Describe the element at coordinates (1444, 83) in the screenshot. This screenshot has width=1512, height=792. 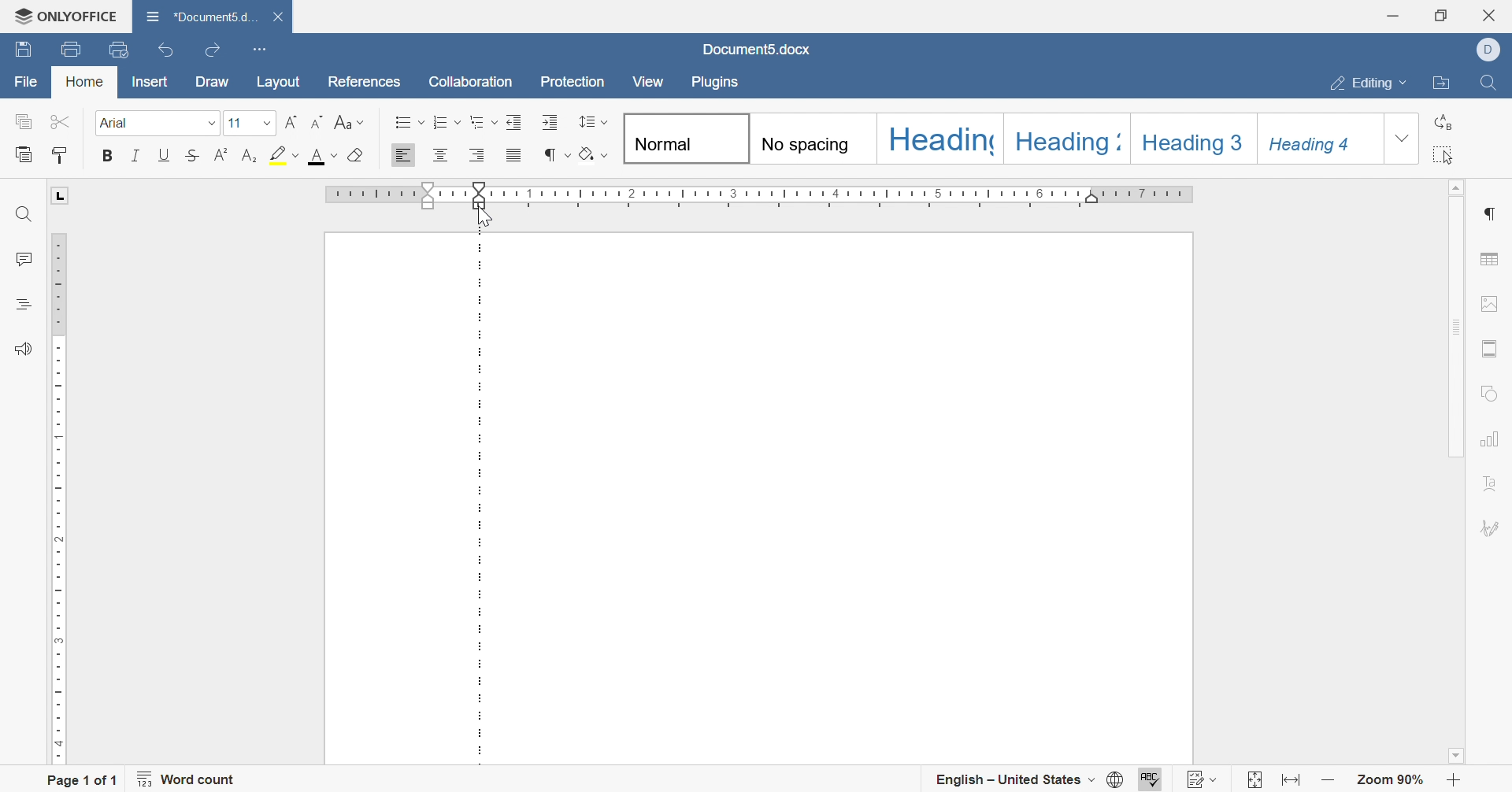
I see `open file location` at that location.